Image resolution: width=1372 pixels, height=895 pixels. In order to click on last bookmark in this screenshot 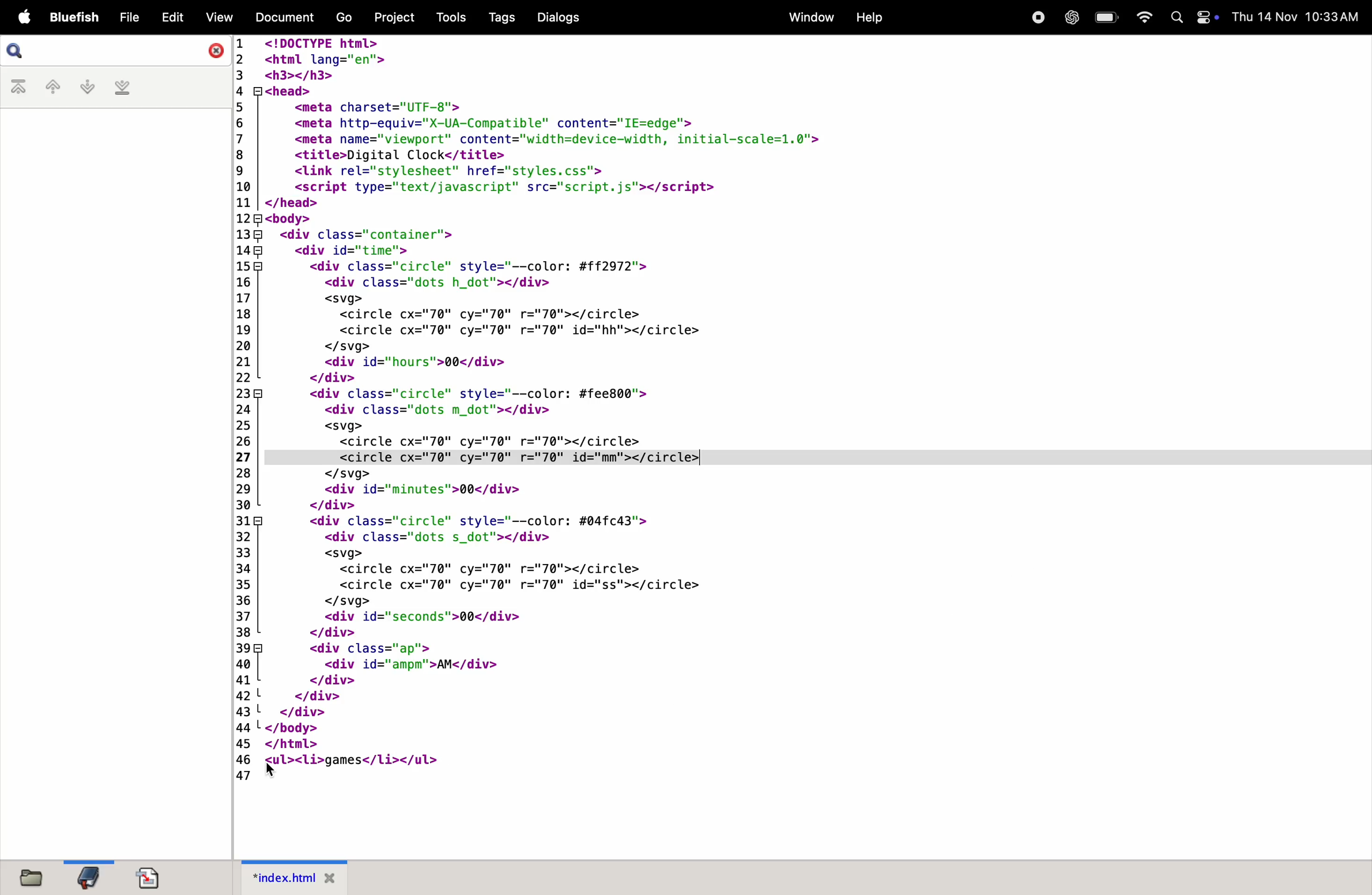, I will do `click(123, 89)`.